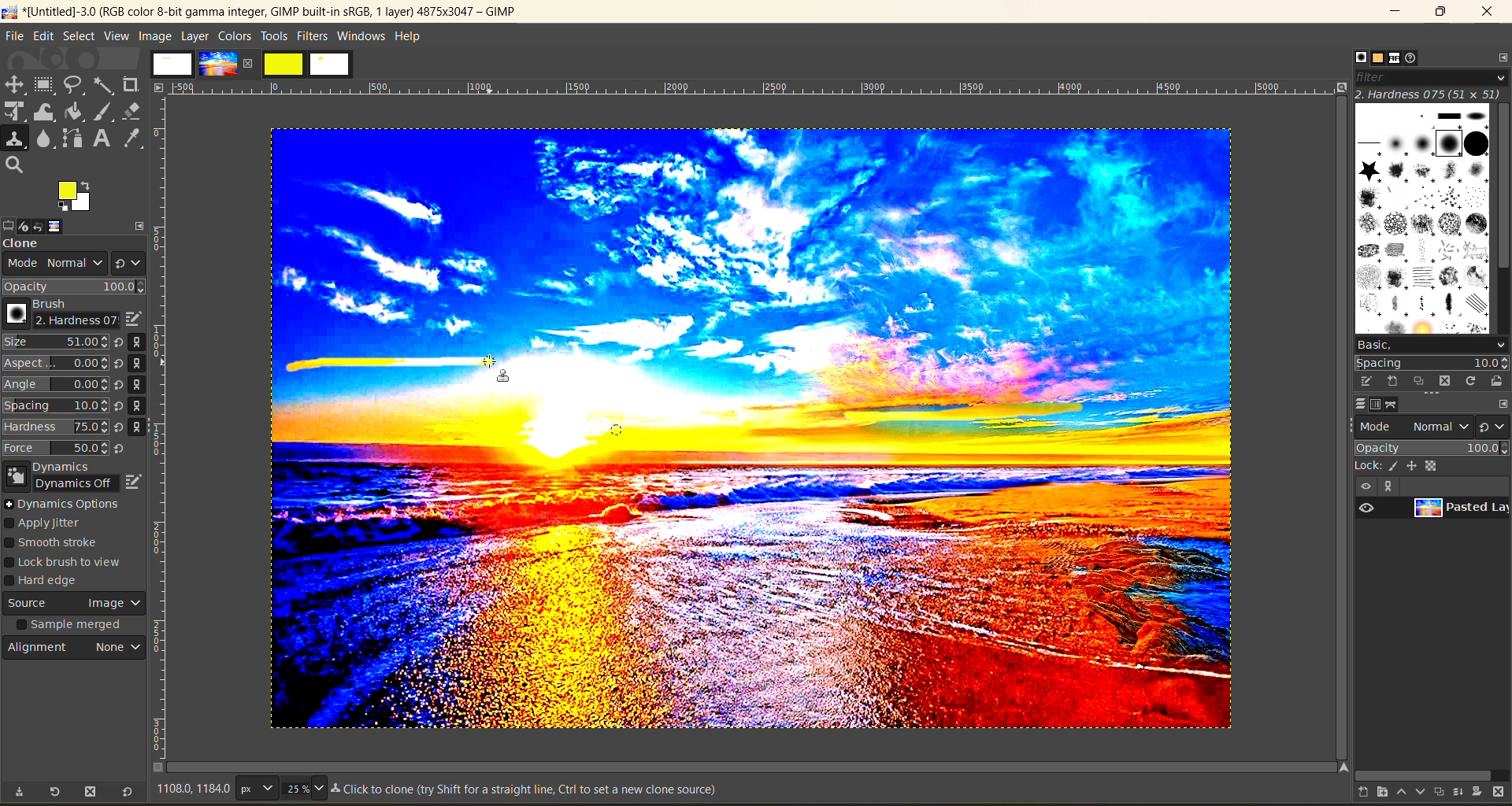 The height and width of the screenshot is (806, 1512). Describe the element at coordinates (390, 361) in the screenshot. I see `cloned area` at that location.